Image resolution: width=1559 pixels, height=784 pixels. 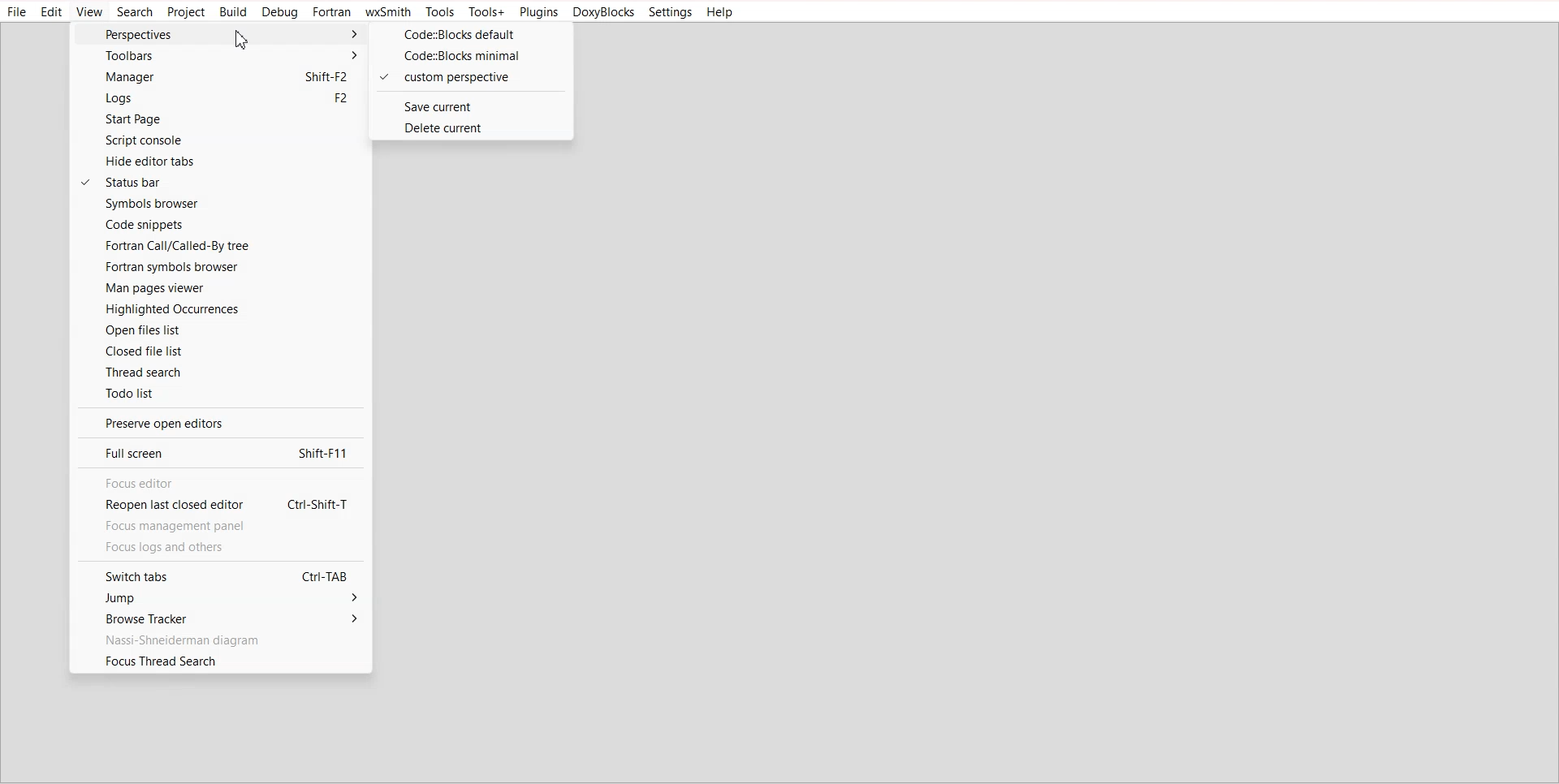 I want to click on Edit, so click(x=52, y=12).